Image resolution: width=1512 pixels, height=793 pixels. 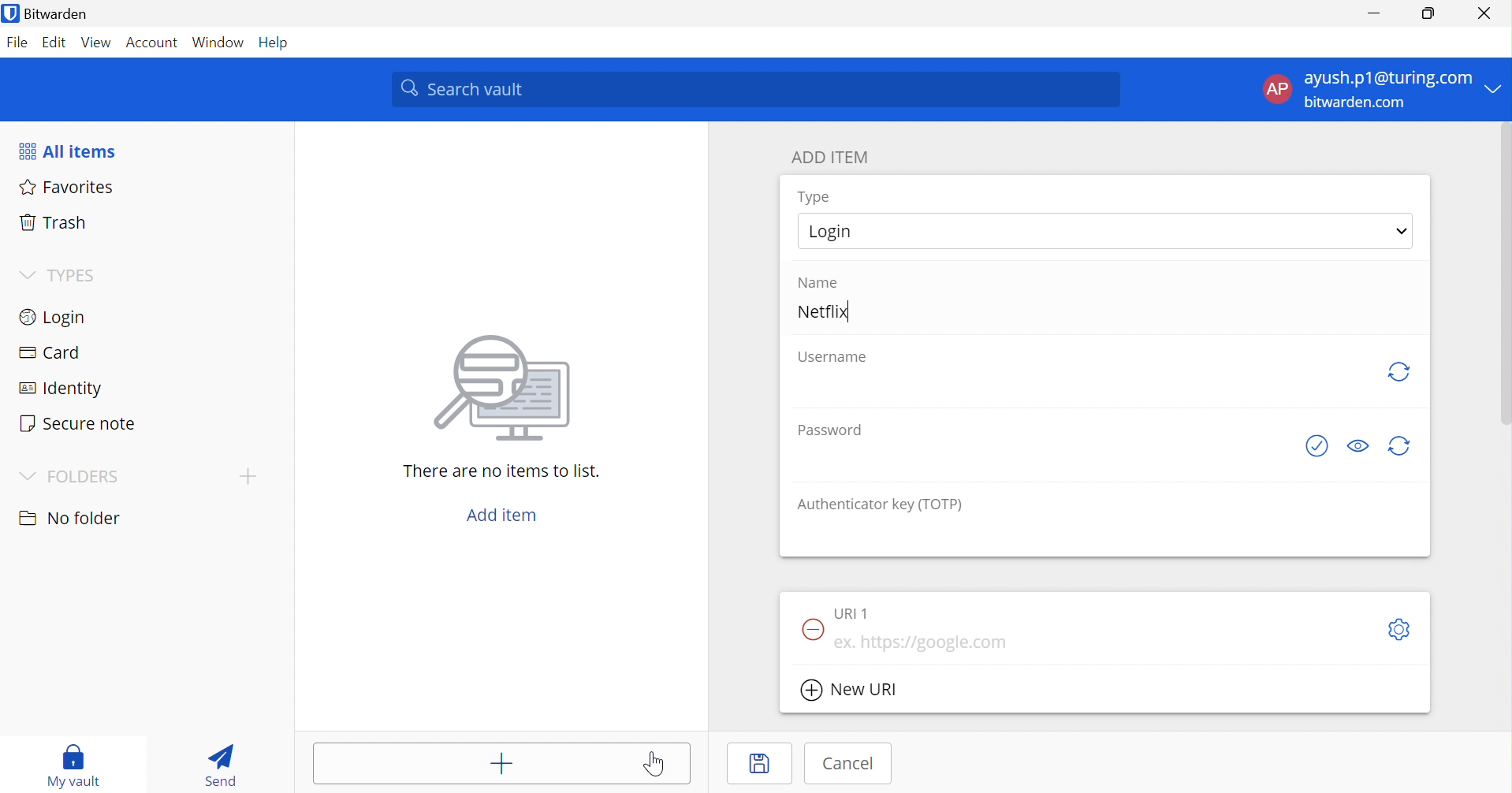 I want to click on image, so click(x=496, y=393).